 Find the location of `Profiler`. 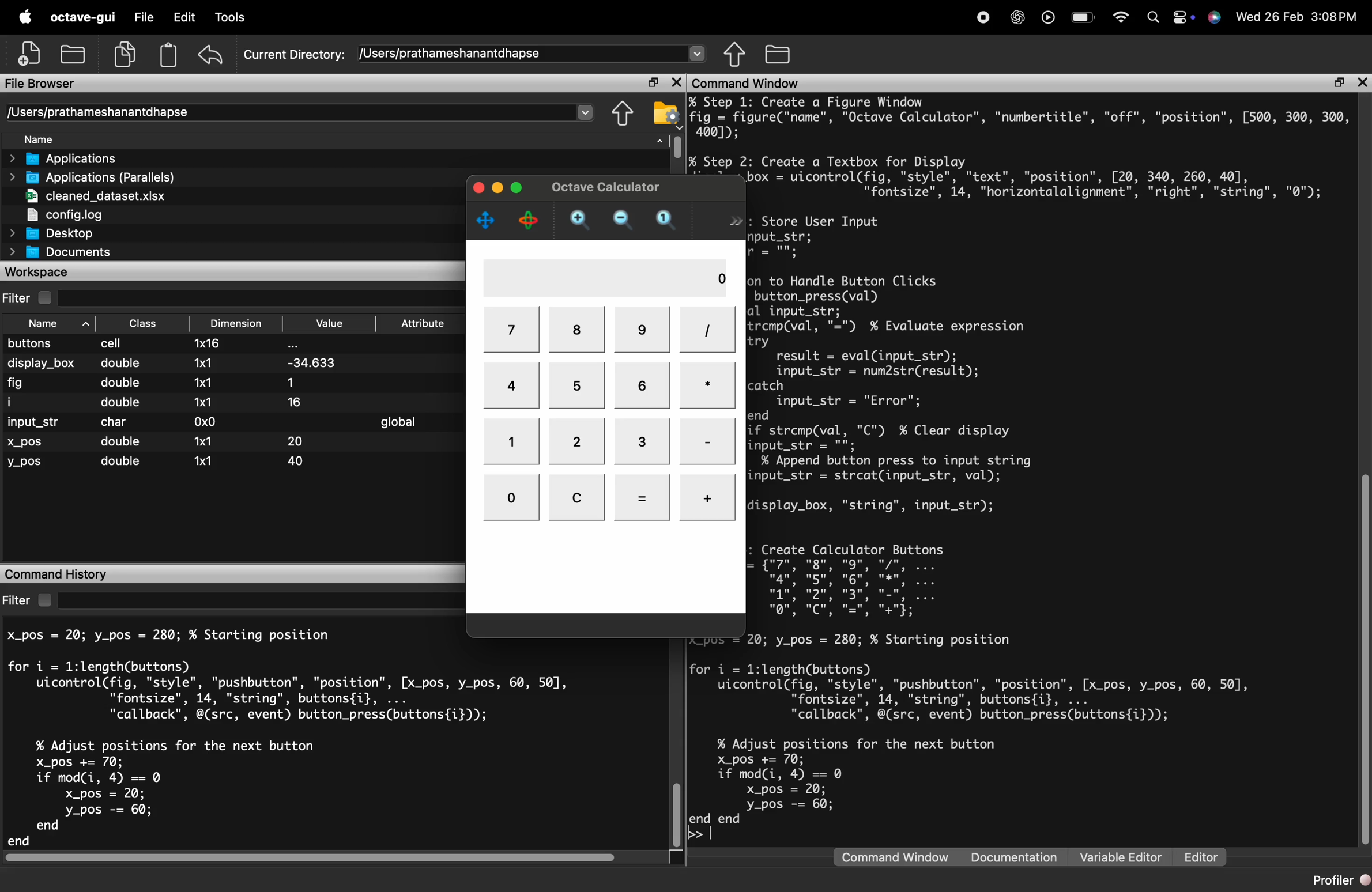

Profiler is located at coordinates (1337, 878).